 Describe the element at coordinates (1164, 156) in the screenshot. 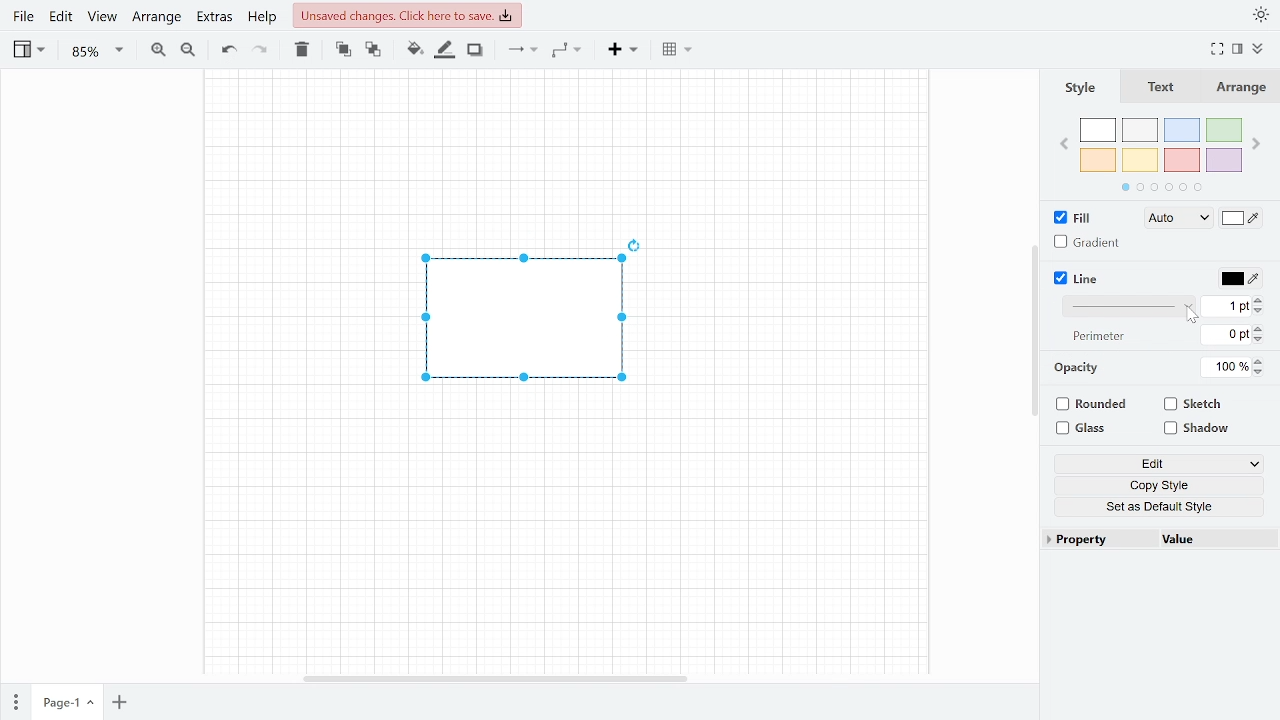

I see `Colors pallet` at that location.